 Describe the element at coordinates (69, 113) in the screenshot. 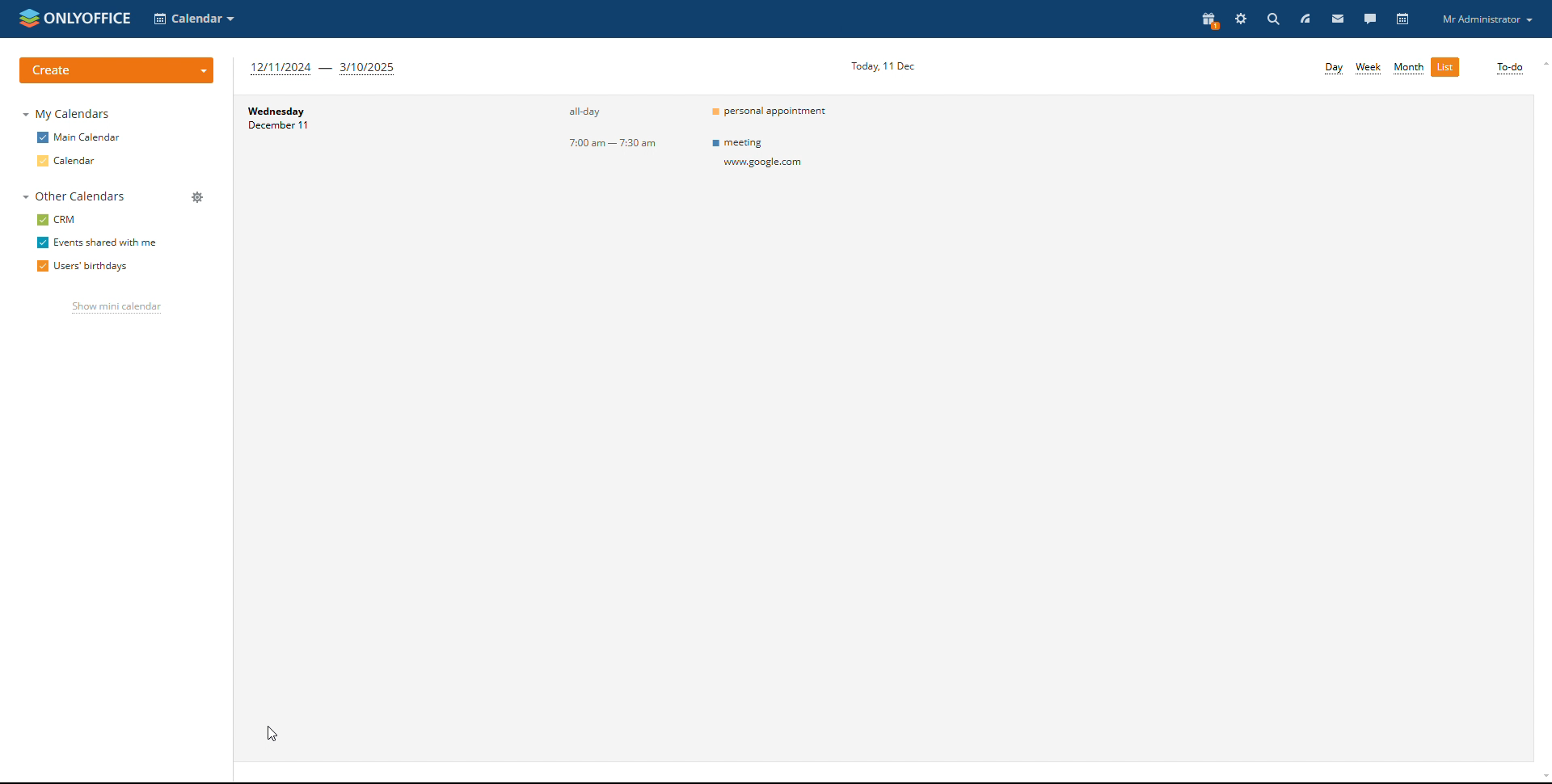

I see `my calendars` at that location.